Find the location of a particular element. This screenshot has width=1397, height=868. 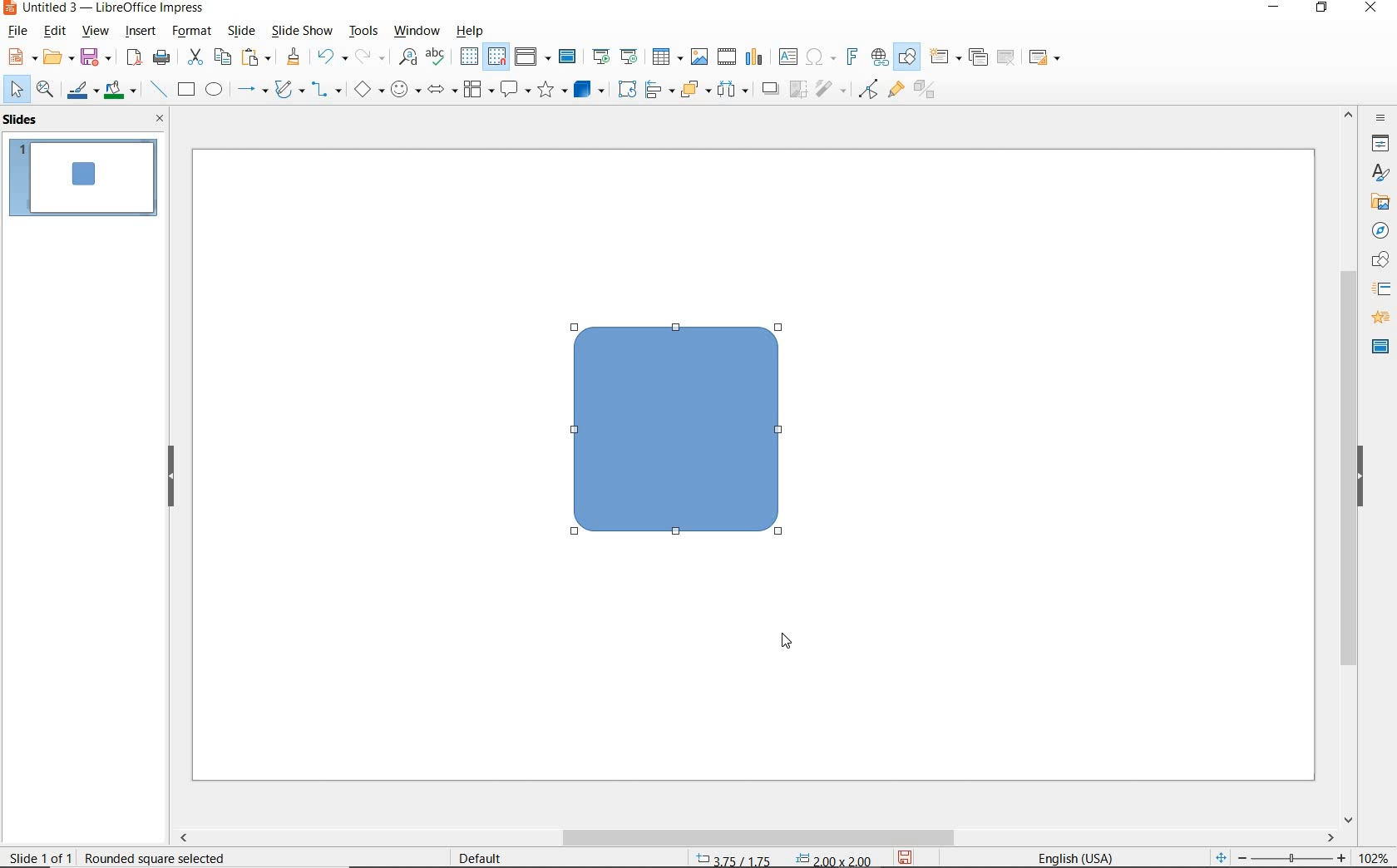

square selected is located at coordinates (168, 856).